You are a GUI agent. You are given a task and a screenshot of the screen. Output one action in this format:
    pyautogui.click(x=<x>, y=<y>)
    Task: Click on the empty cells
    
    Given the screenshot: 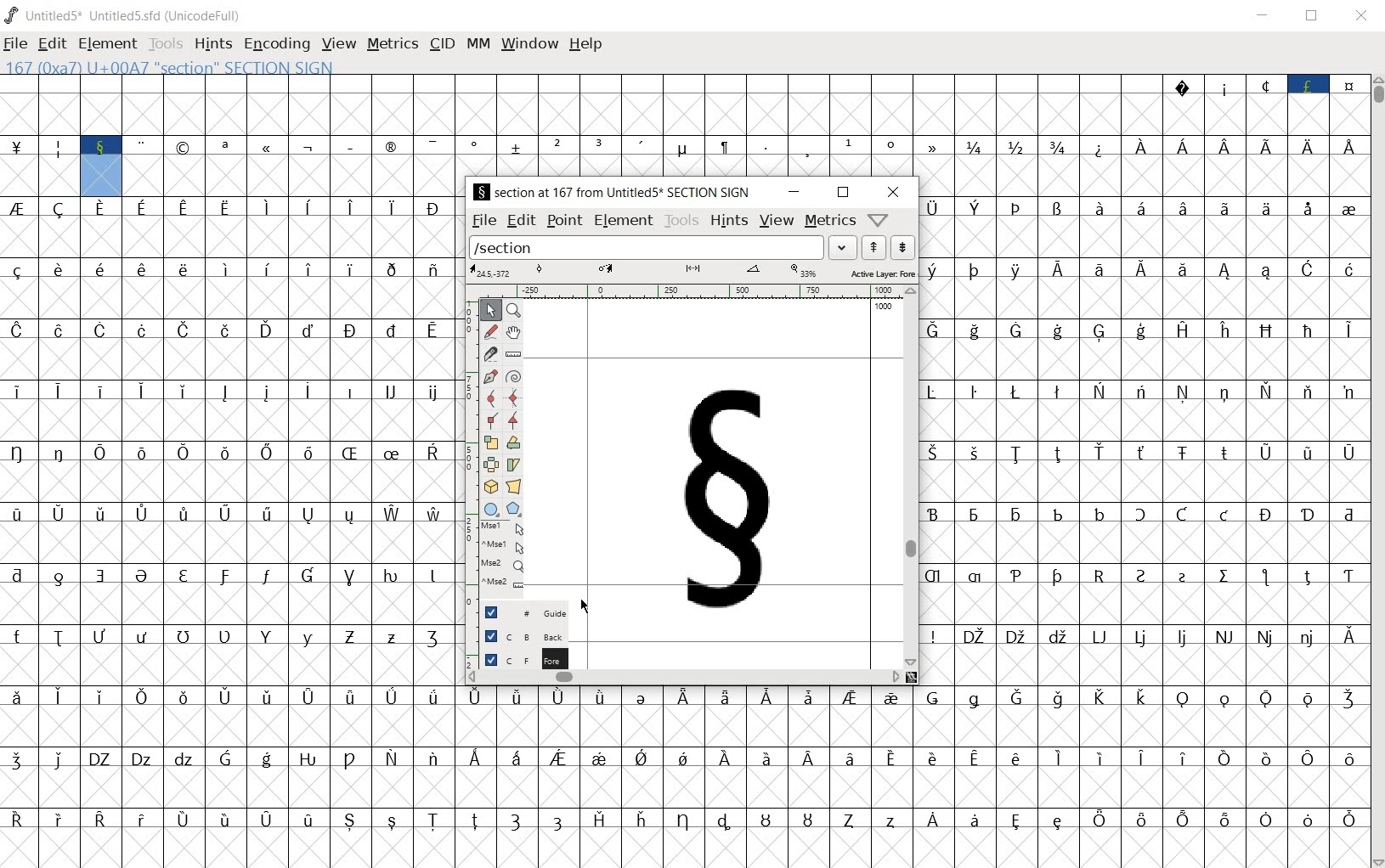 What is the action you would take?
    pyautogui.click(x=686, y=786)
    